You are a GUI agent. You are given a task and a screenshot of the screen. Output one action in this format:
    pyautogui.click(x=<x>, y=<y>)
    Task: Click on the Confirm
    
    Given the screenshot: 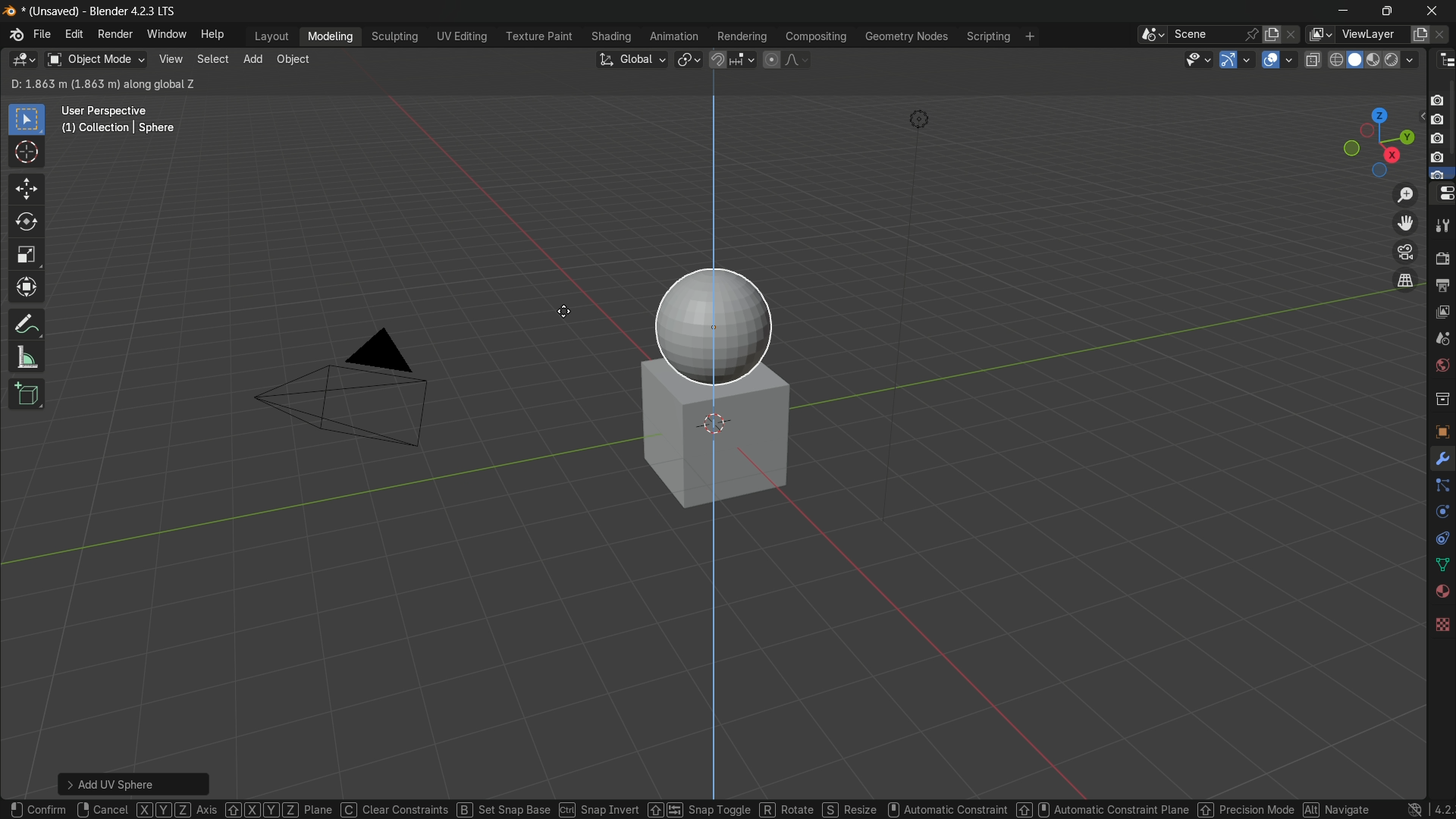 What is the action you would take?
    pyautogui.click(x=36, y=809)
    